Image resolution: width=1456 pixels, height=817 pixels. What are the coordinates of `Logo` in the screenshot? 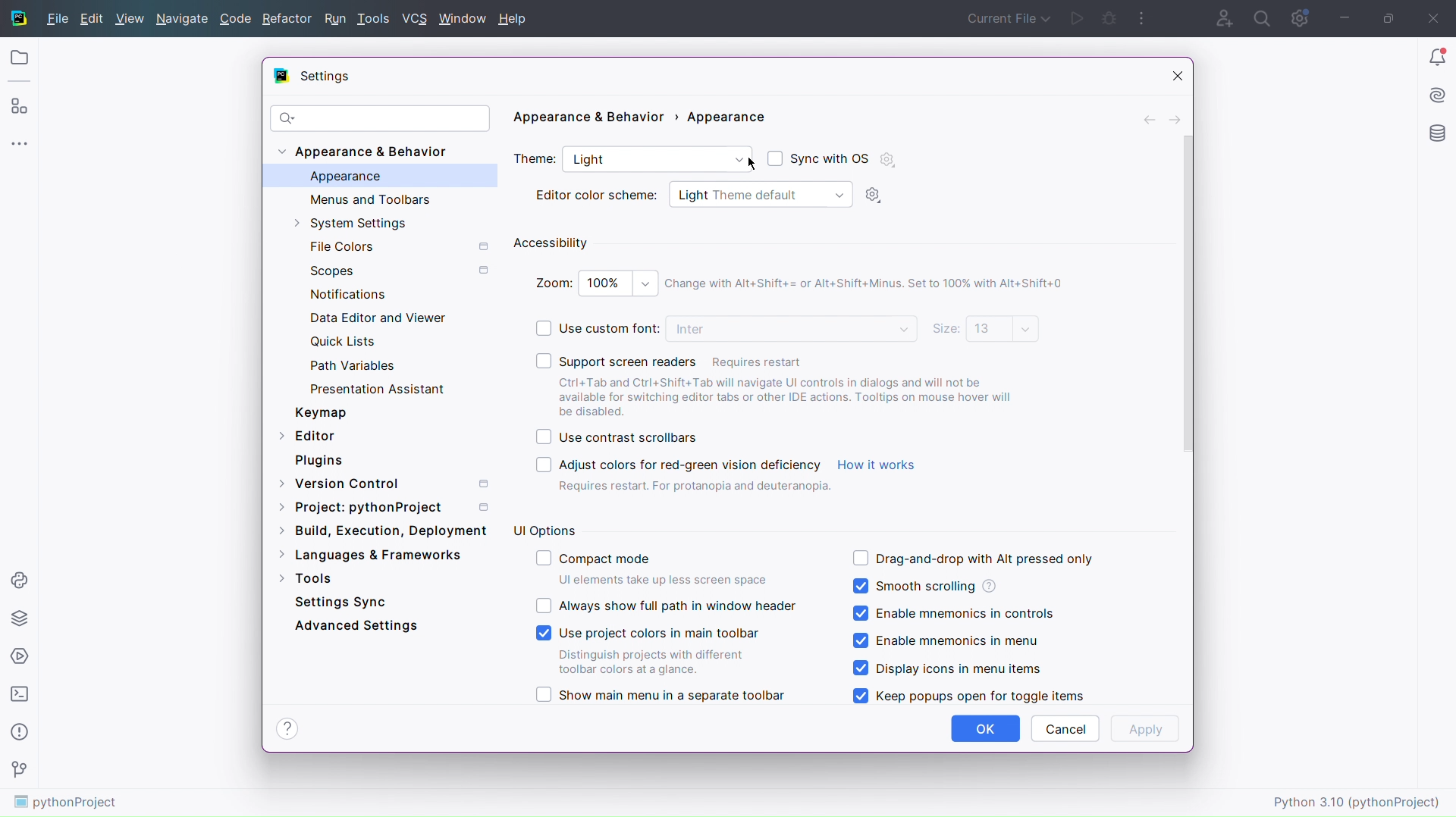 It's located at (17, 18).